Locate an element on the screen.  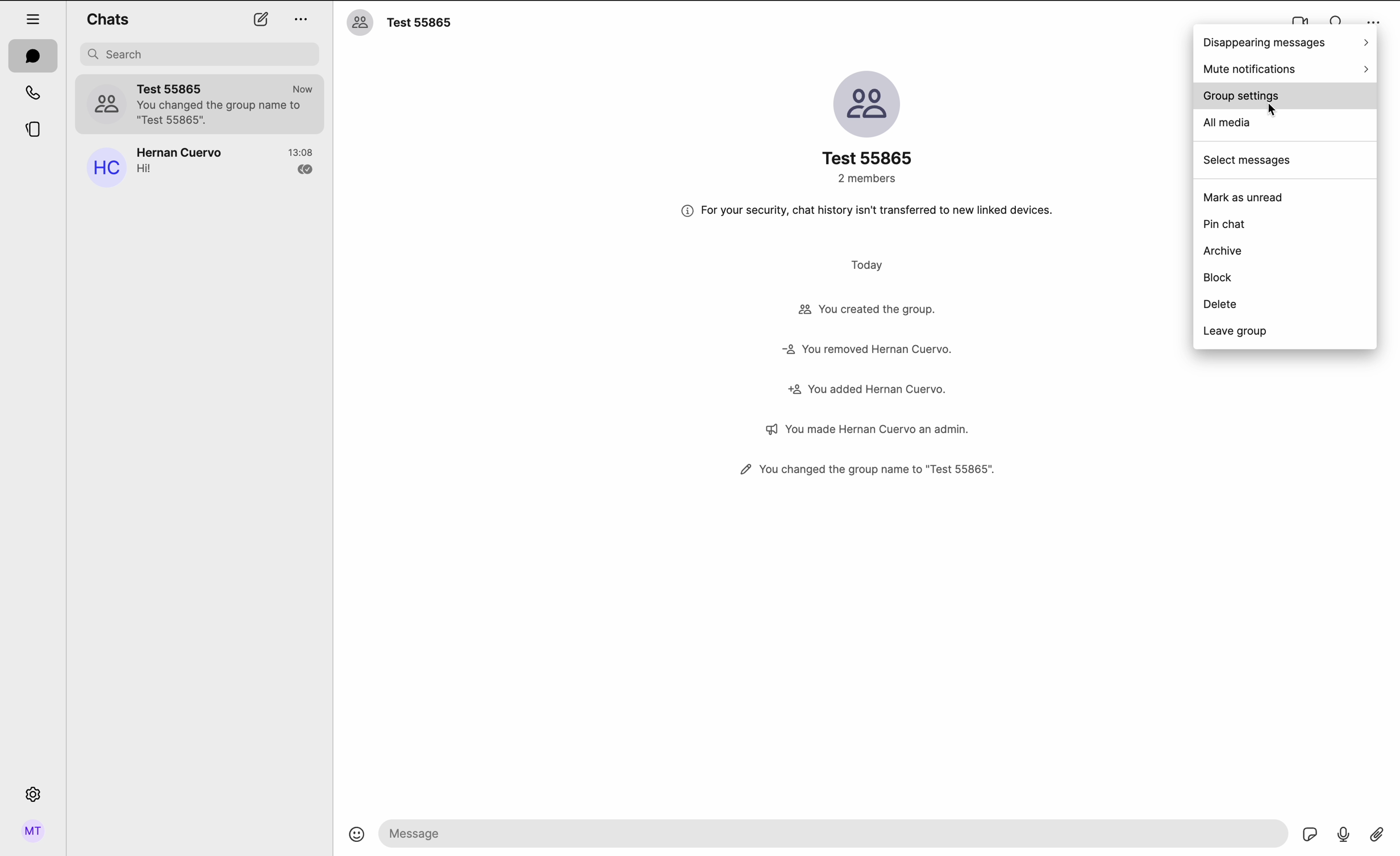
name group is located at coordinates (425, 24).